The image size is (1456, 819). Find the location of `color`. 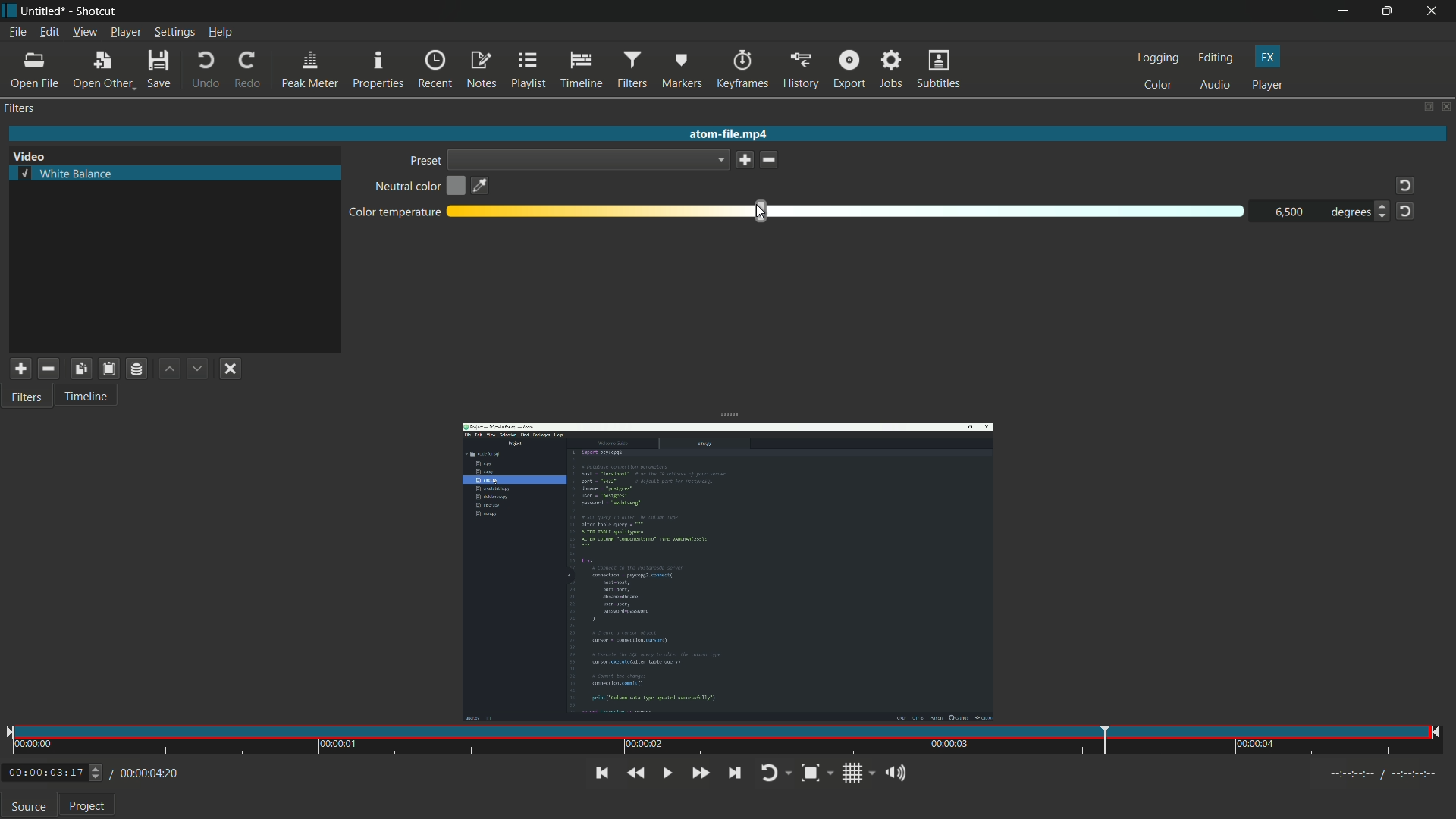

color is located at coordinates (1158, 86).